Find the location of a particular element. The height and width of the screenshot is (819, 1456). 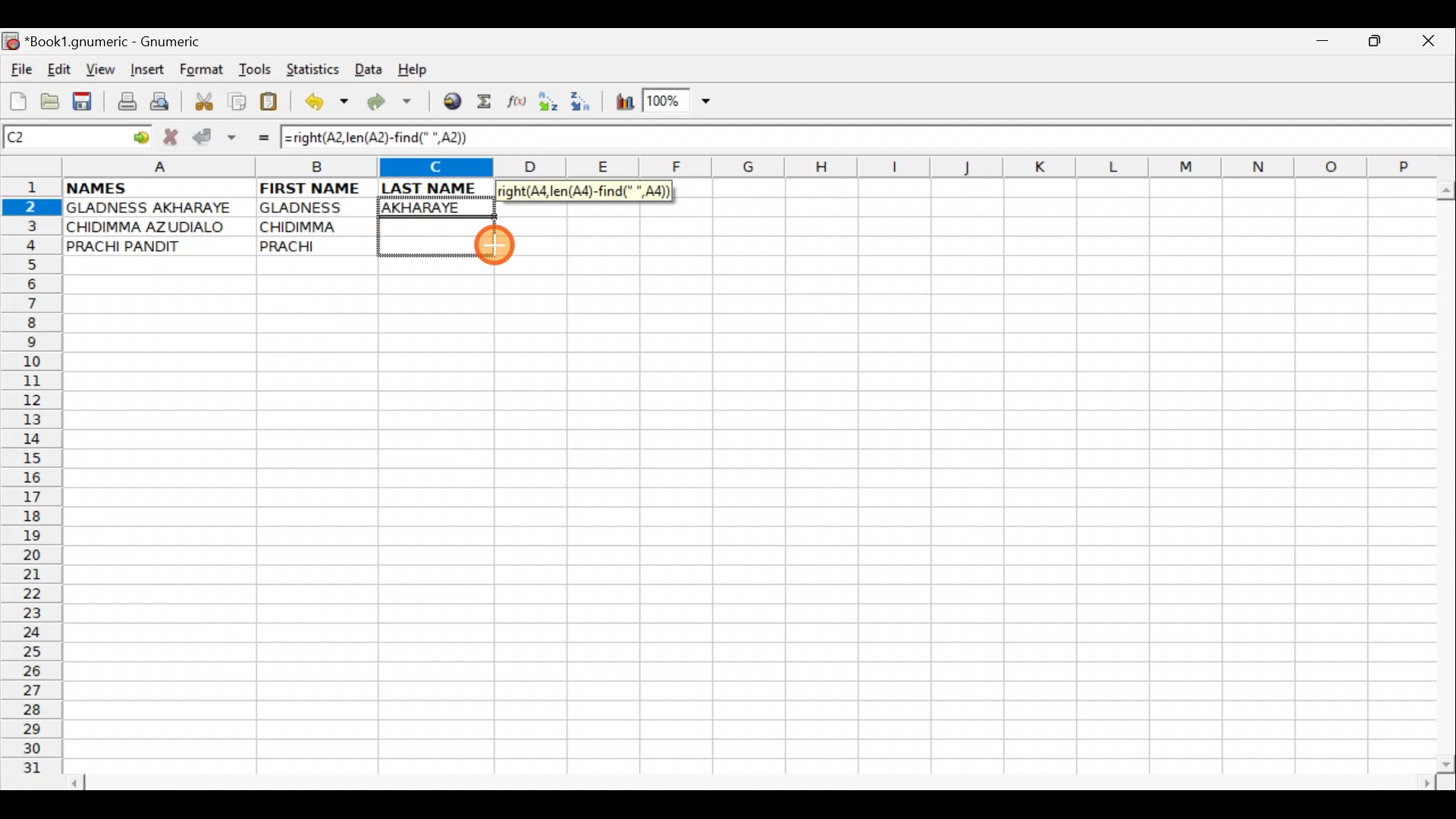

Cancel change is located at coordinates (174, 134).